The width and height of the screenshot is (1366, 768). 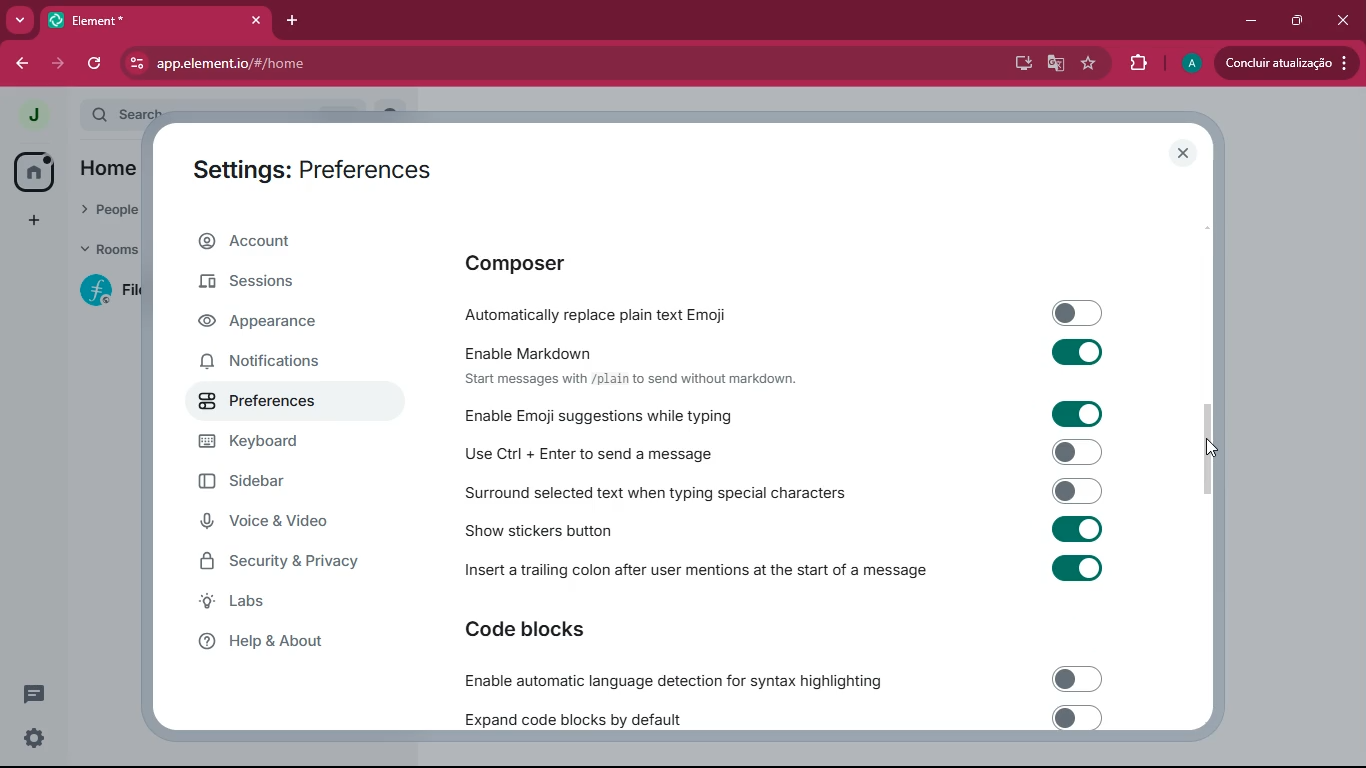 I want to click on forward, so click(x=56, y=64).